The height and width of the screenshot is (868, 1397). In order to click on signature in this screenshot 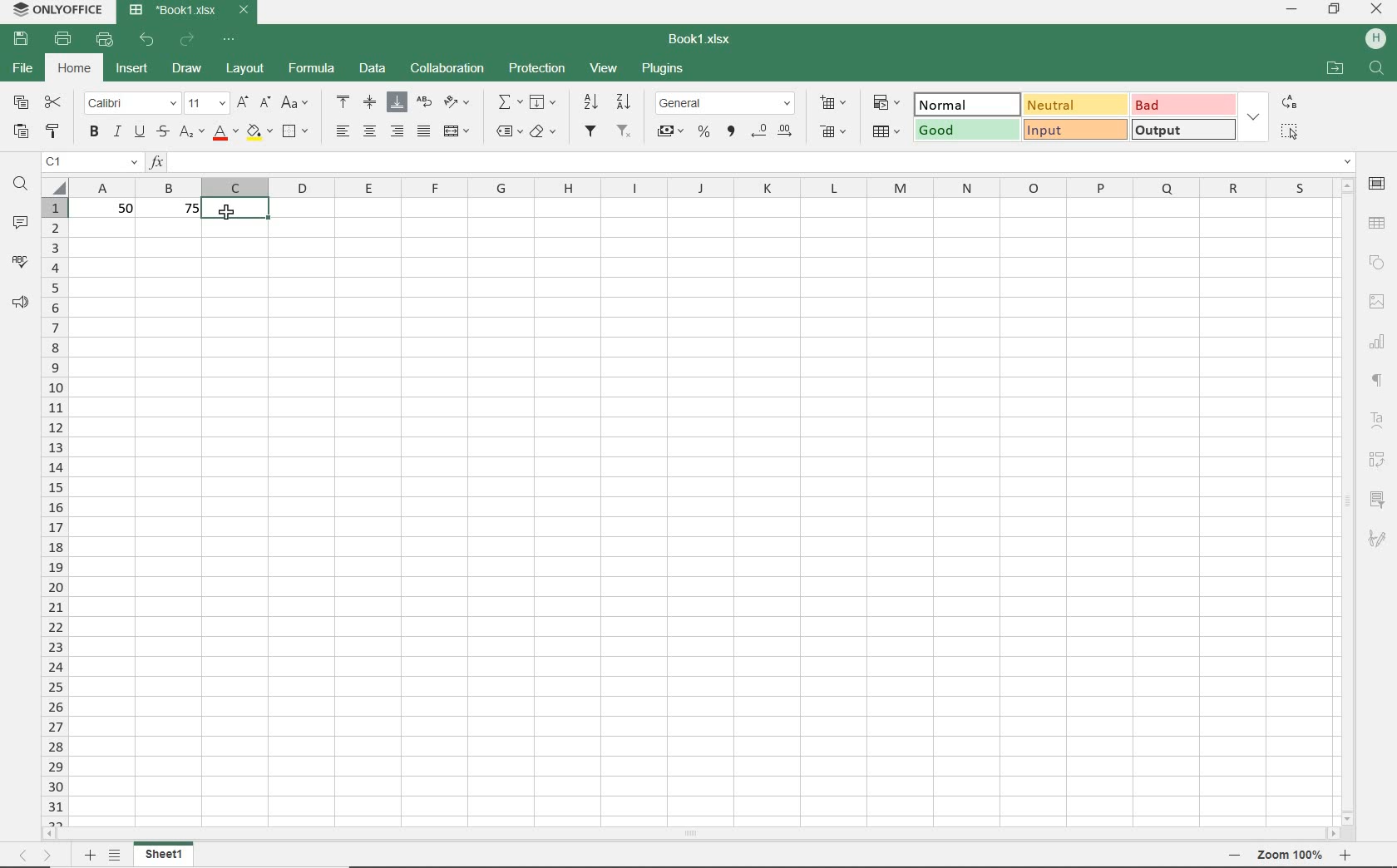, I will do `click(1378, 538)`.